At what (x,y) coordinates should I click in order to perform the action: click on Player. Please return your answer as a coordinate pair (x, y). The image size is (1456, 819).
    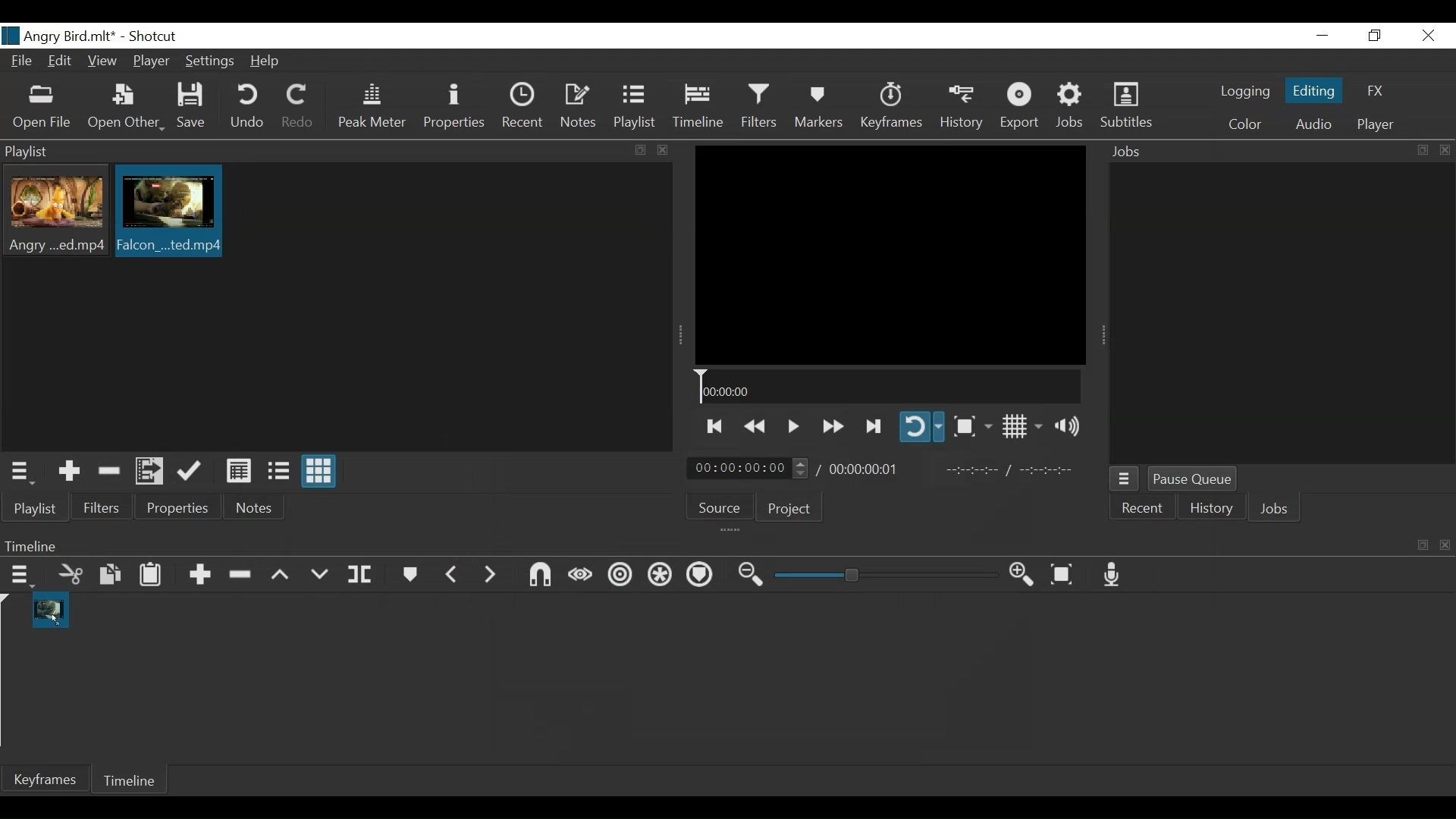
    Looking at the image, I should click on (1376, 125).